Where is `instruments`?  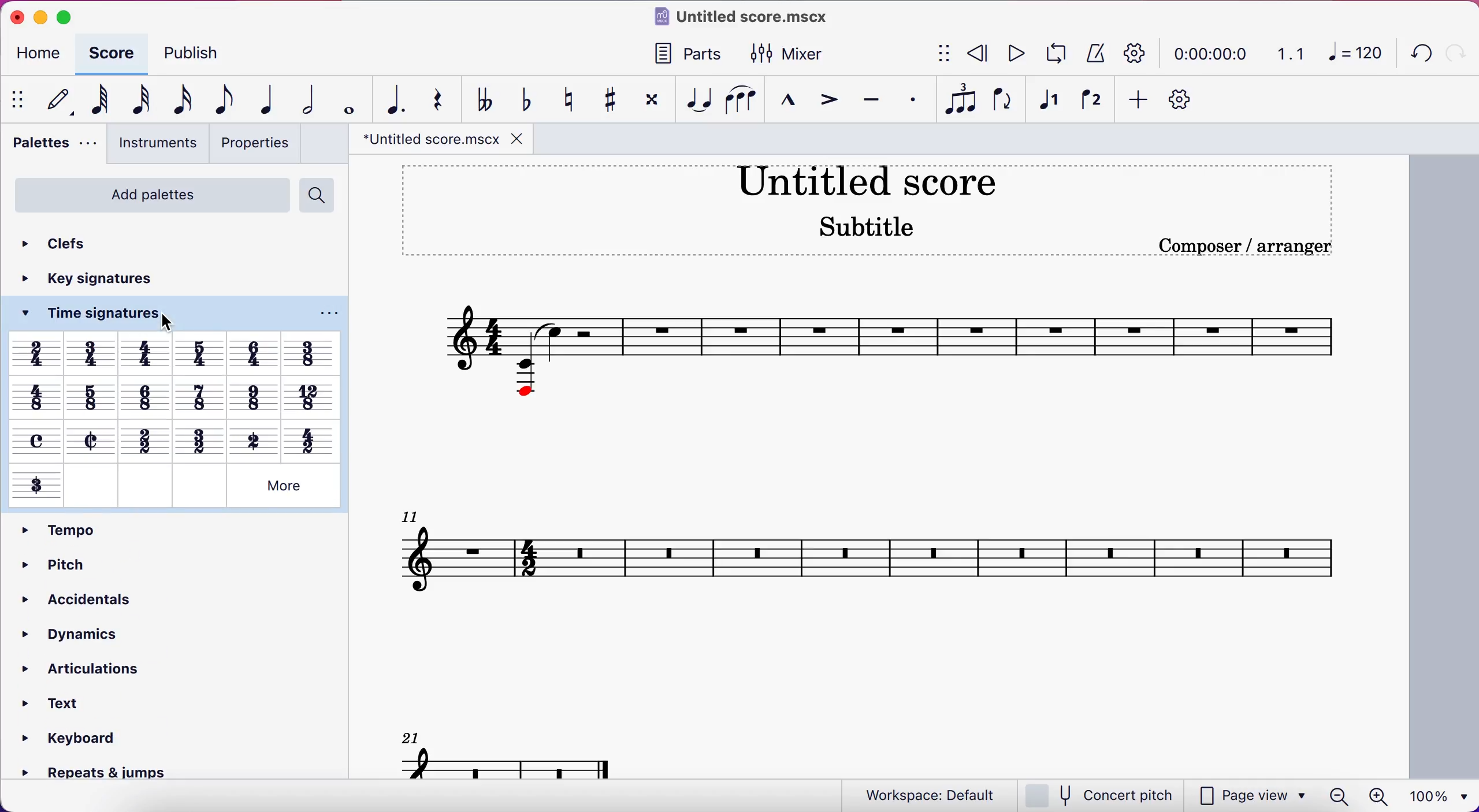
instruments is located at coordinates (153, 145).